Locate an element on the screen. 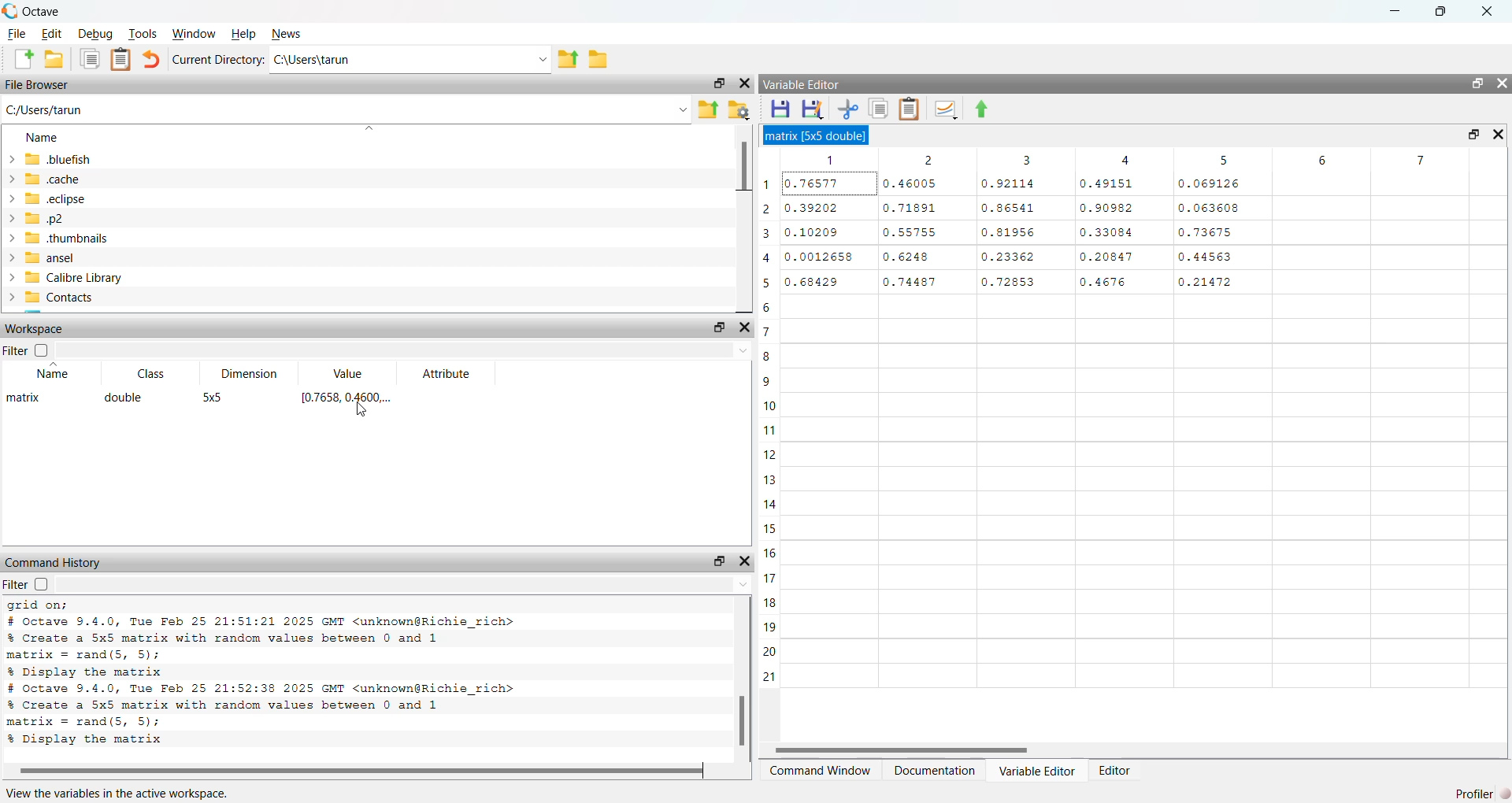 This screenshot has height=803, width=1512. close is located at coordinates (742, 86).